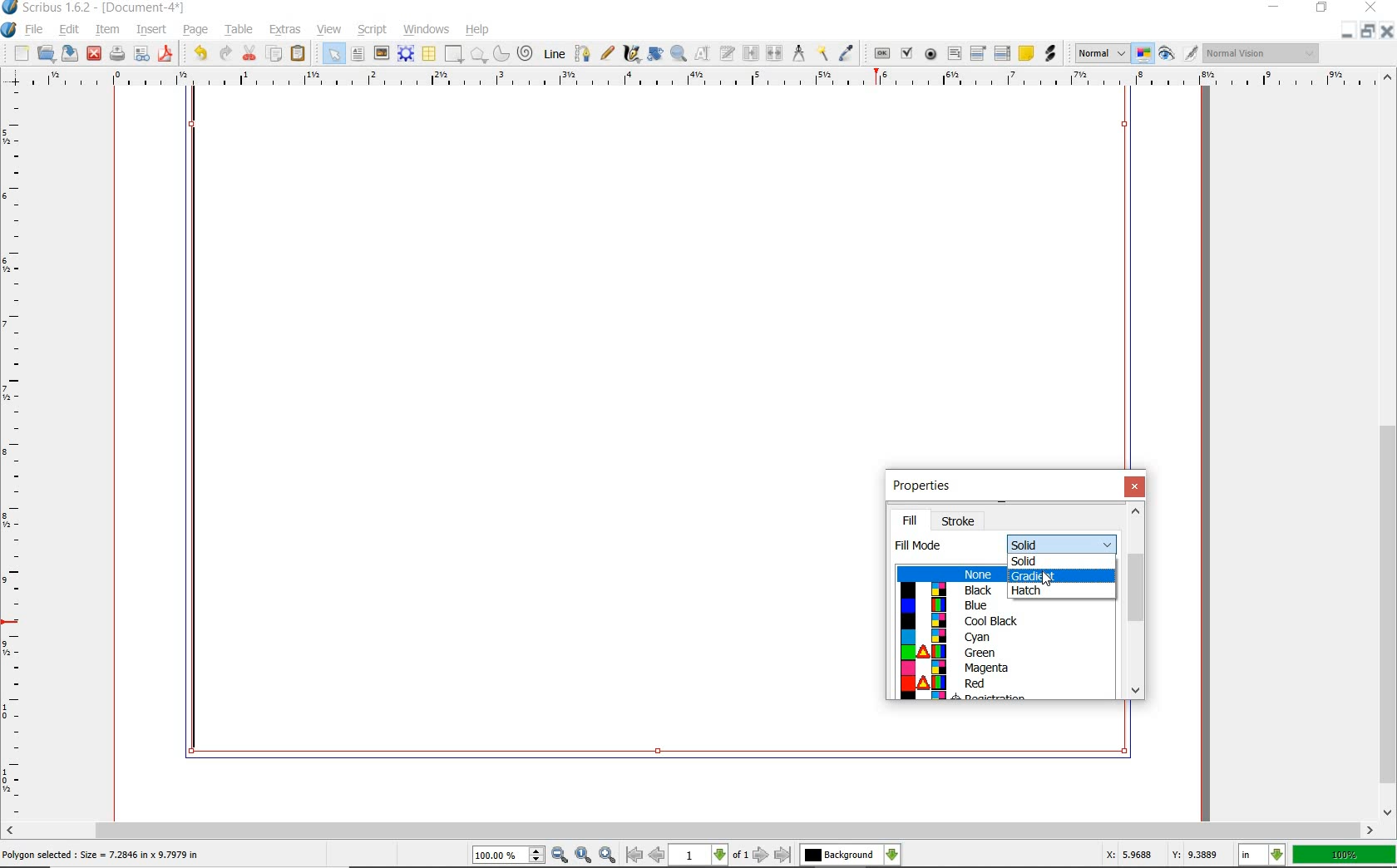  I want to click on image frame, so click(382, 55).